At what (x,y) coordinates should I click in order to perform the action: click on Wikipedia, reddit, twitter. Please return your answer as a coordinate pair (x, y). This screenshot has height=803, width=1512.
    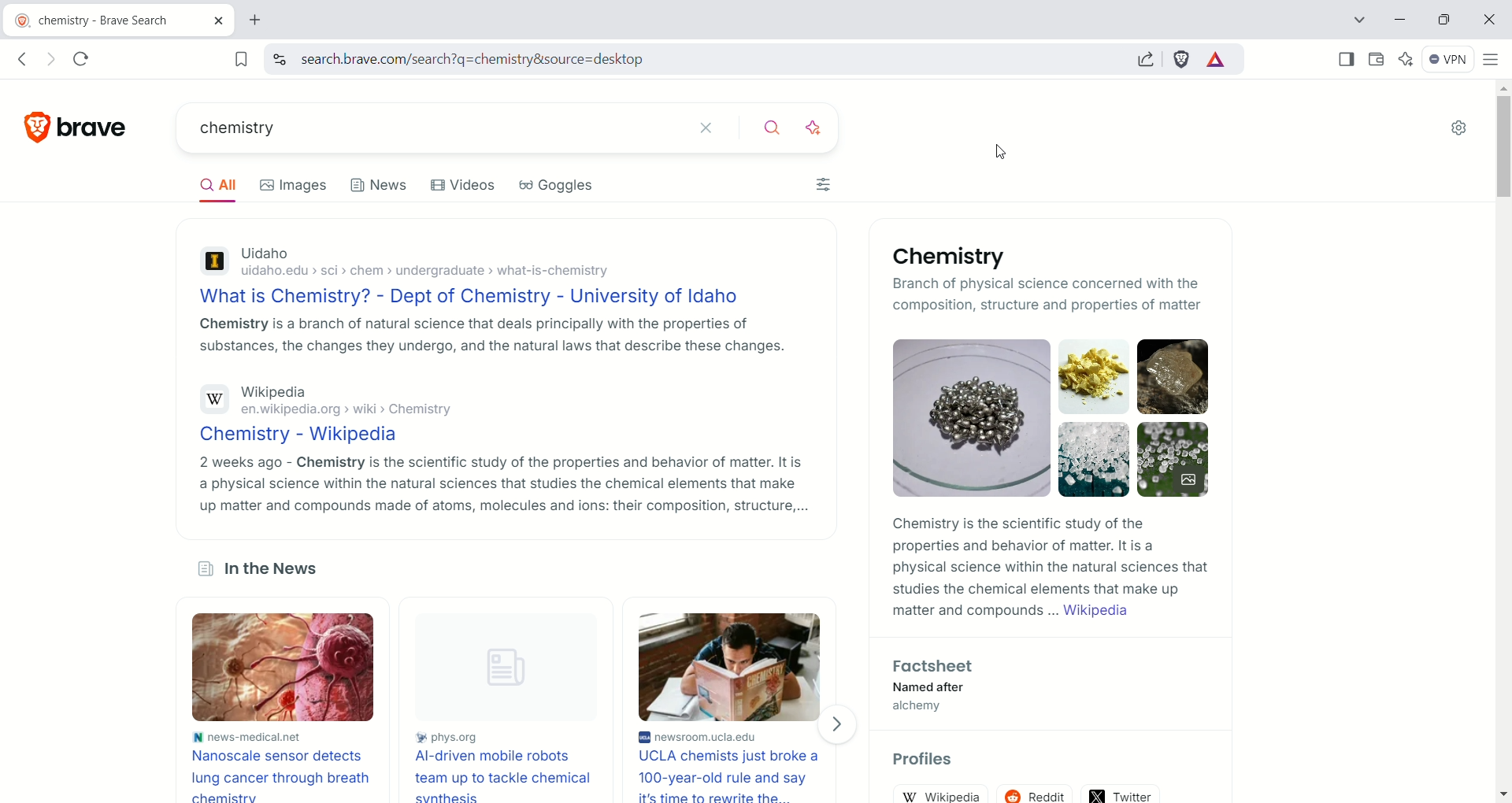
    Looking at the image, I should click on (1047, 790).